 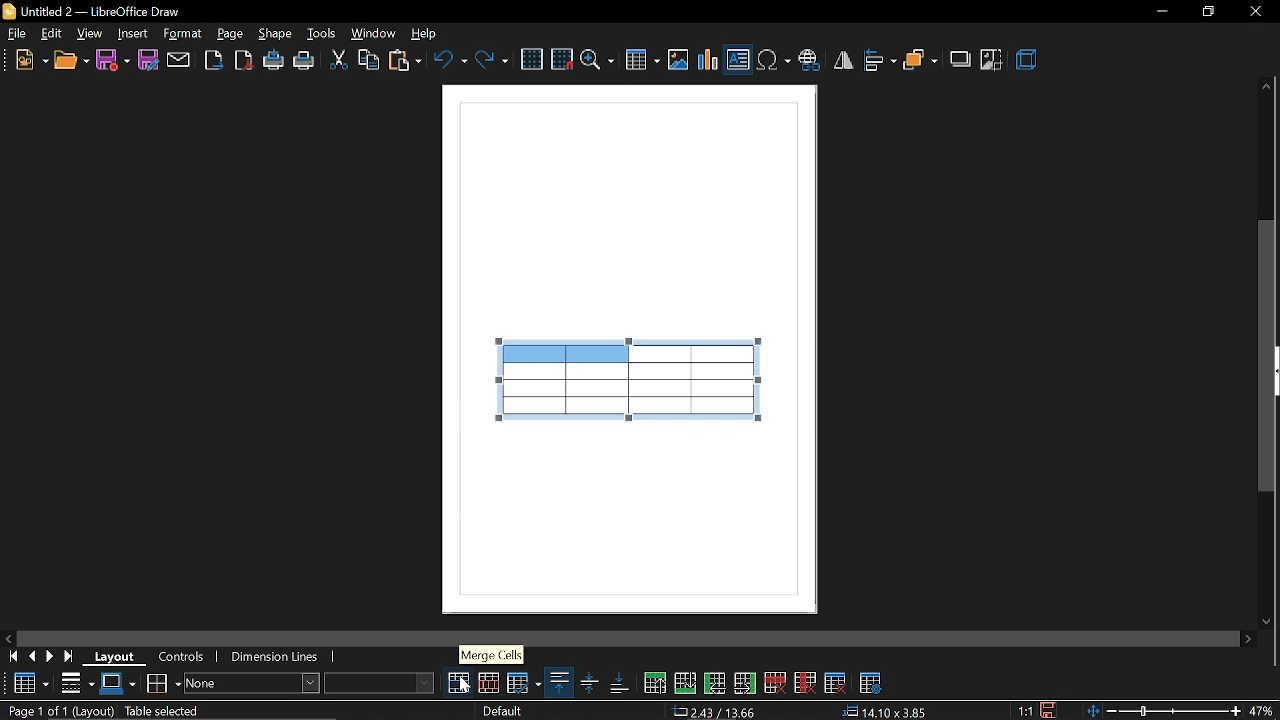 What do you see at coordinates (305, 62) in the screenshot?
I see `print` at bounding box center [305, 62].